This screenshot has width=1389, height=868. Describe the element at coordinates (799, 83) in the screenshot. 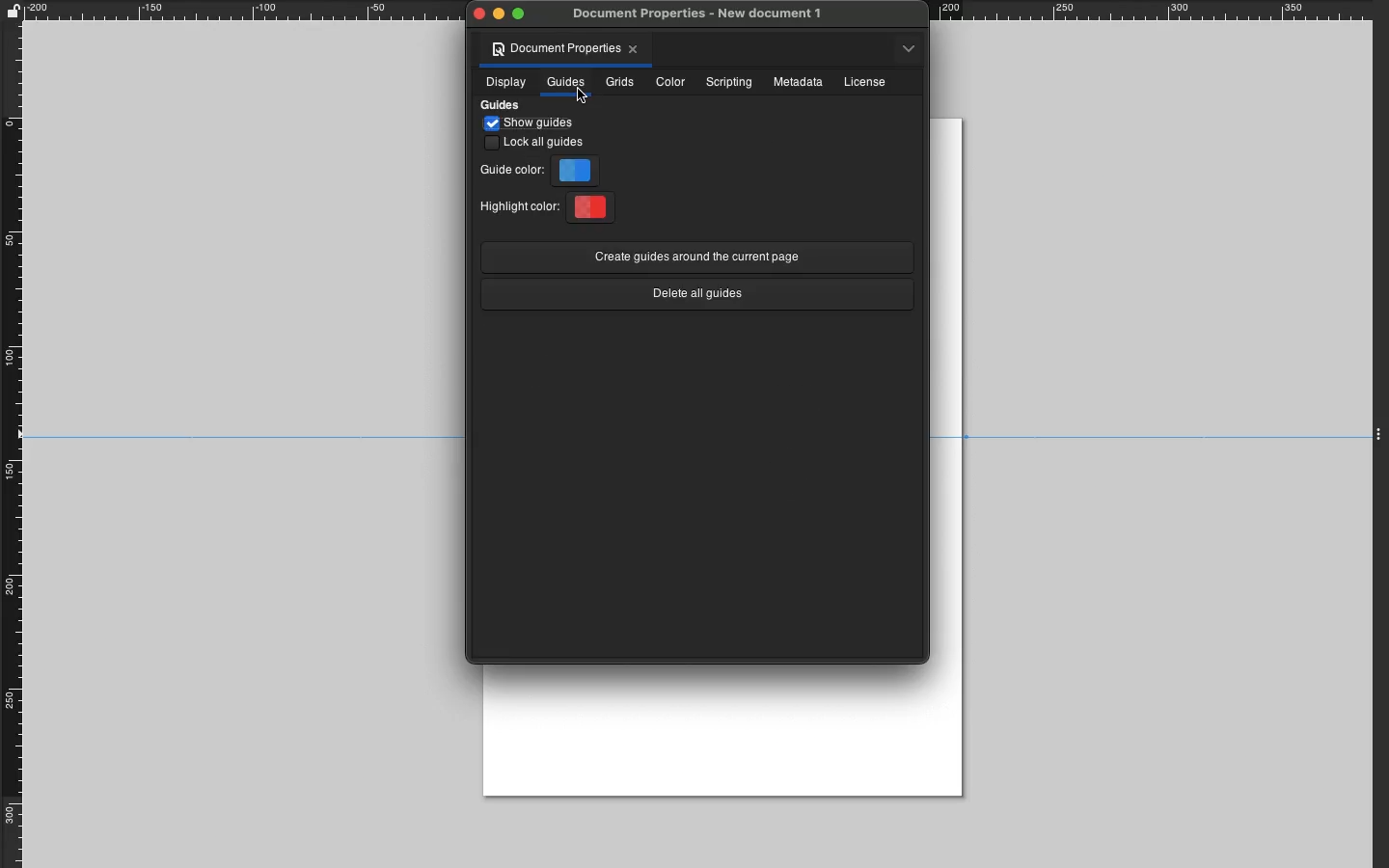

I see `Metadata` at that location.